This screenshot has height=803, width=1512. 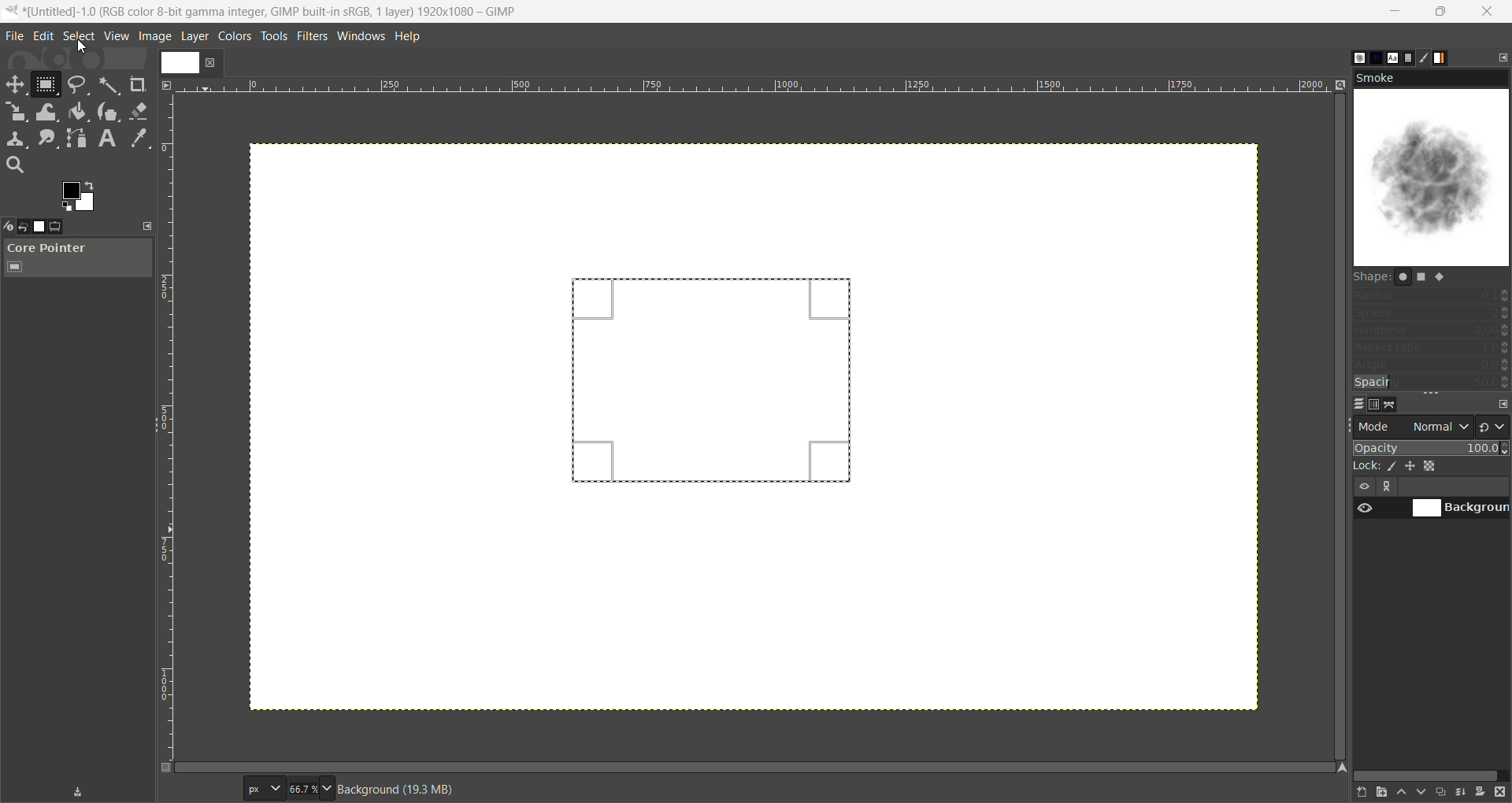 I want to click on normal, so click(x=1435, y=426).